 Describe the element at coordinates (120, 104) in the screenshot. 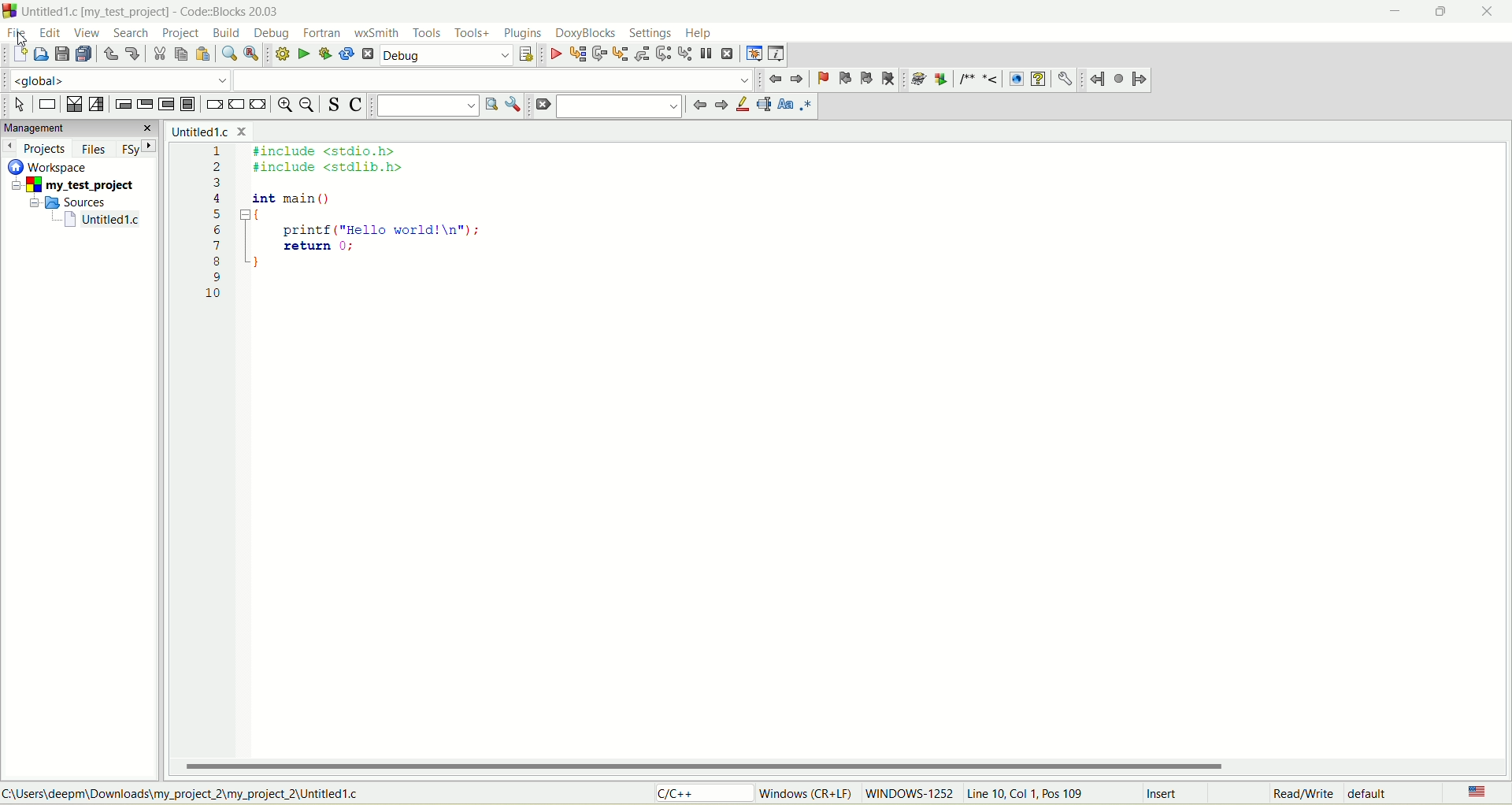

I see `entry condition loop` at that location.